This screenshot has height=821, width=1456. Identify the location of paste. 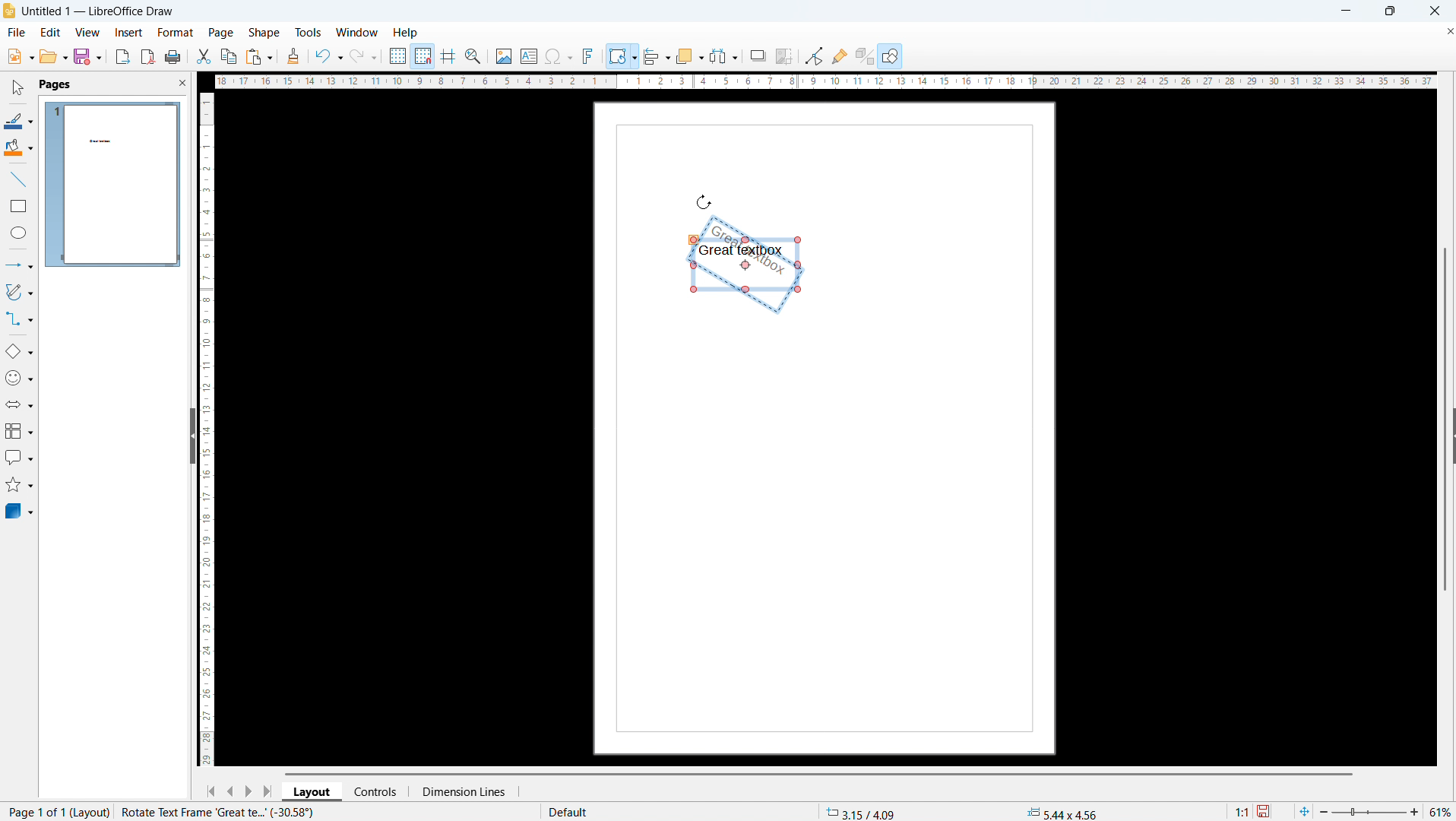
(258, 57).